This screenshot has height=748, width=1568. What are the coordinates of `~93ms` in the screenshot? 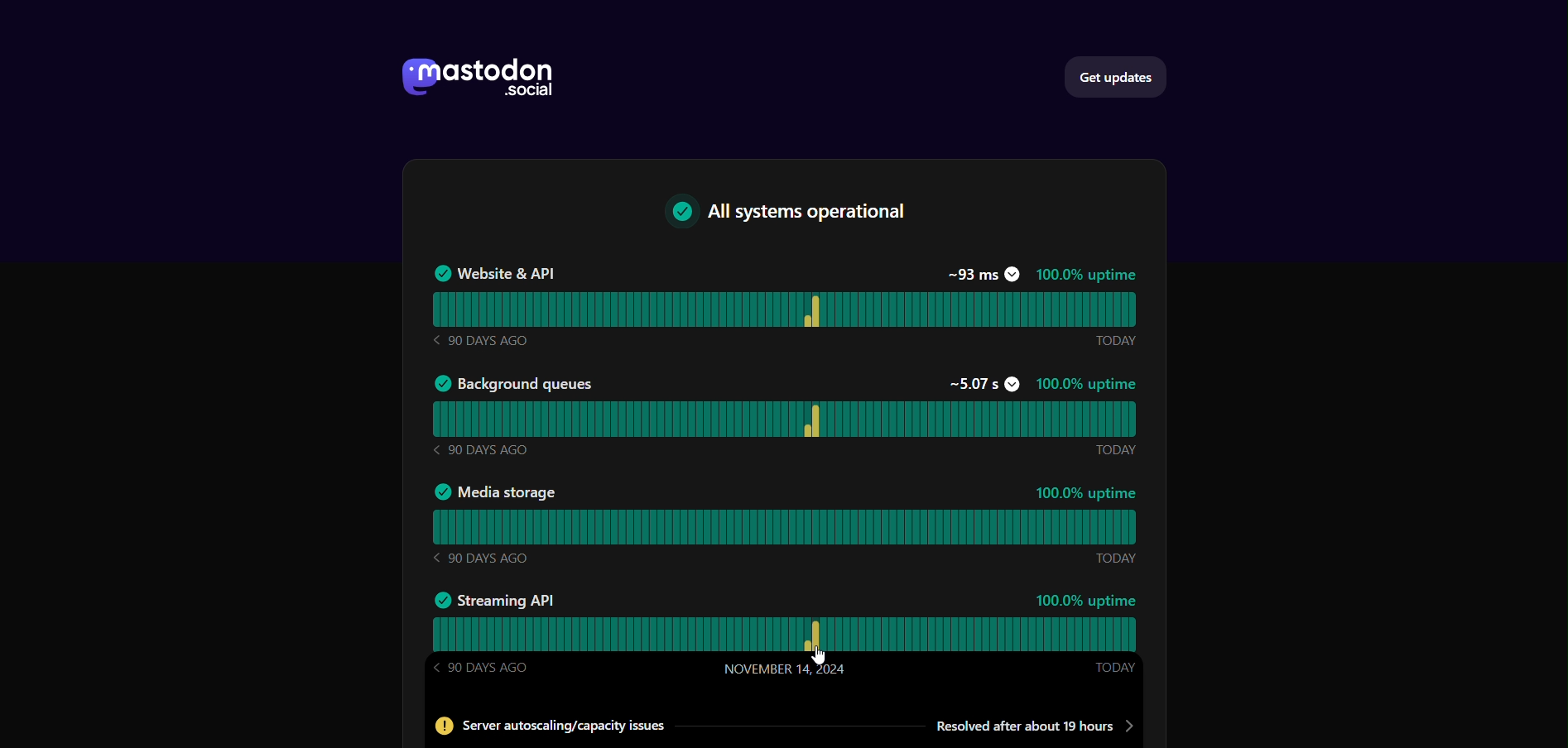 It's located at (982, 274).